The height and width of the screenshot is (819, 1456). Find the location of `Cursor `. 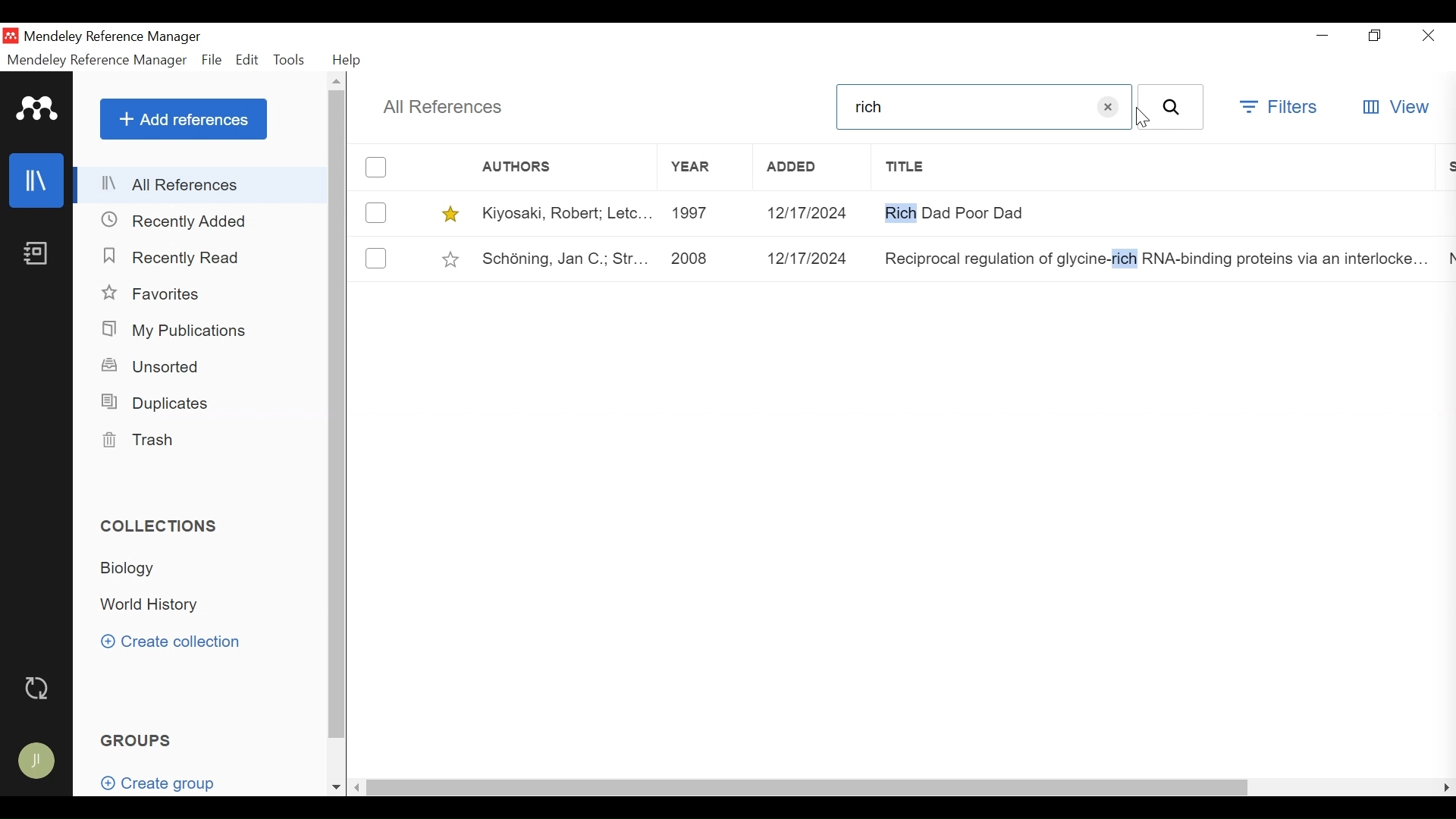

Cursor  is located at coordinates (1140, 120).